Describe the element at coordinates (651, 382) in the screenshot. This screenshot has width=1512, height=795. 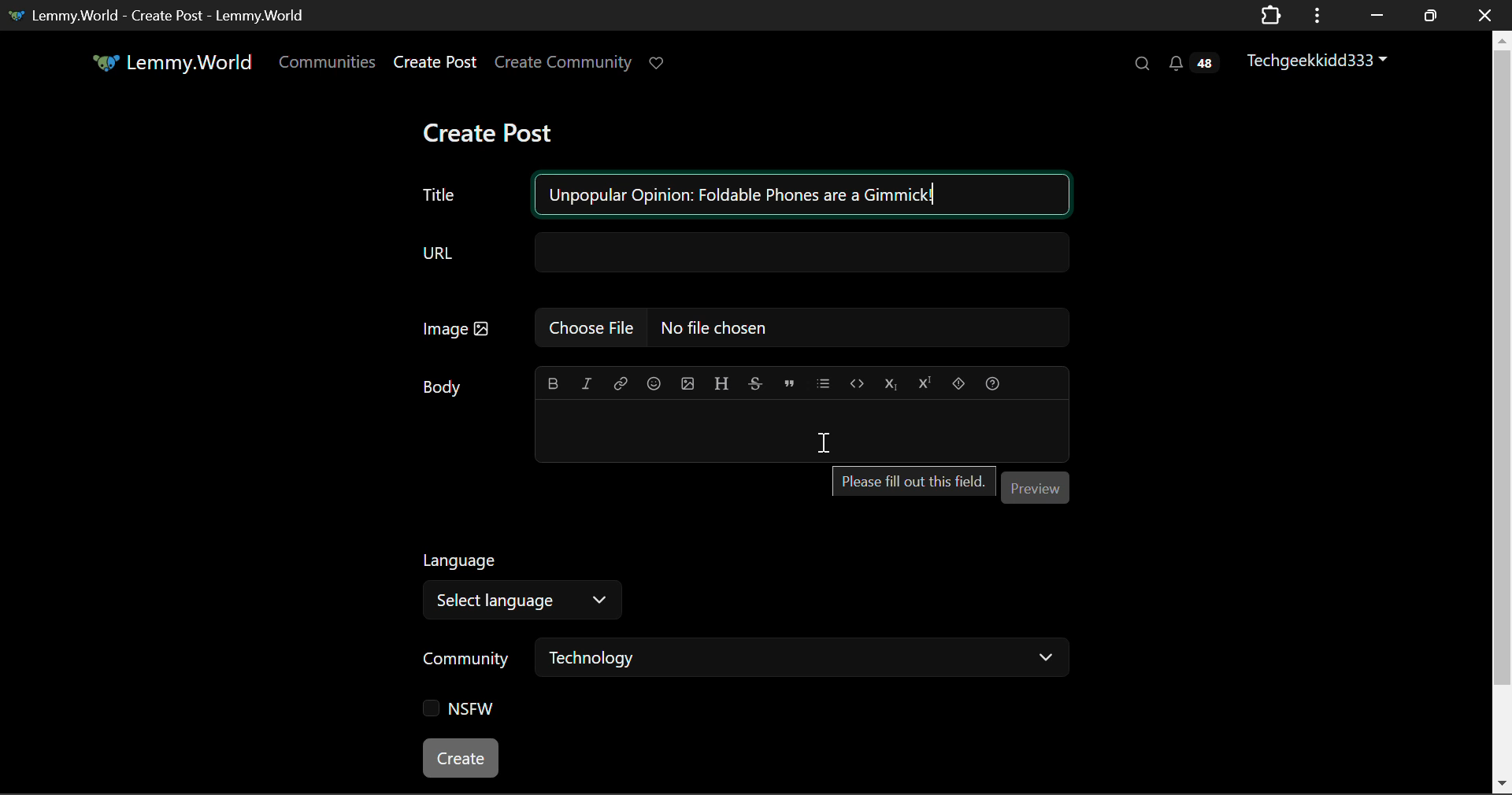
I see `emoji` at that location.